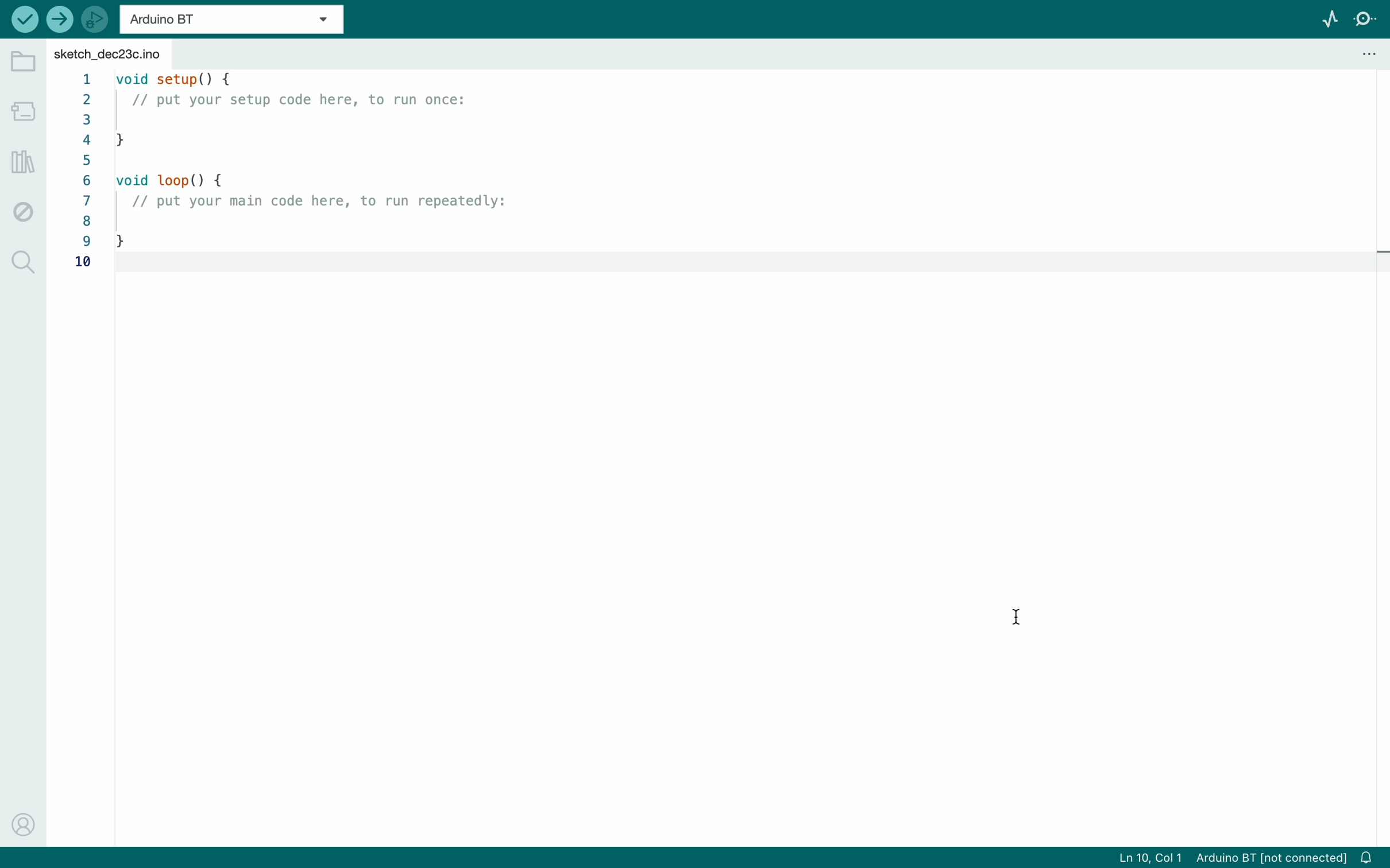 The image size is (1390, 868). I want to click on verify, so click(22, 20).